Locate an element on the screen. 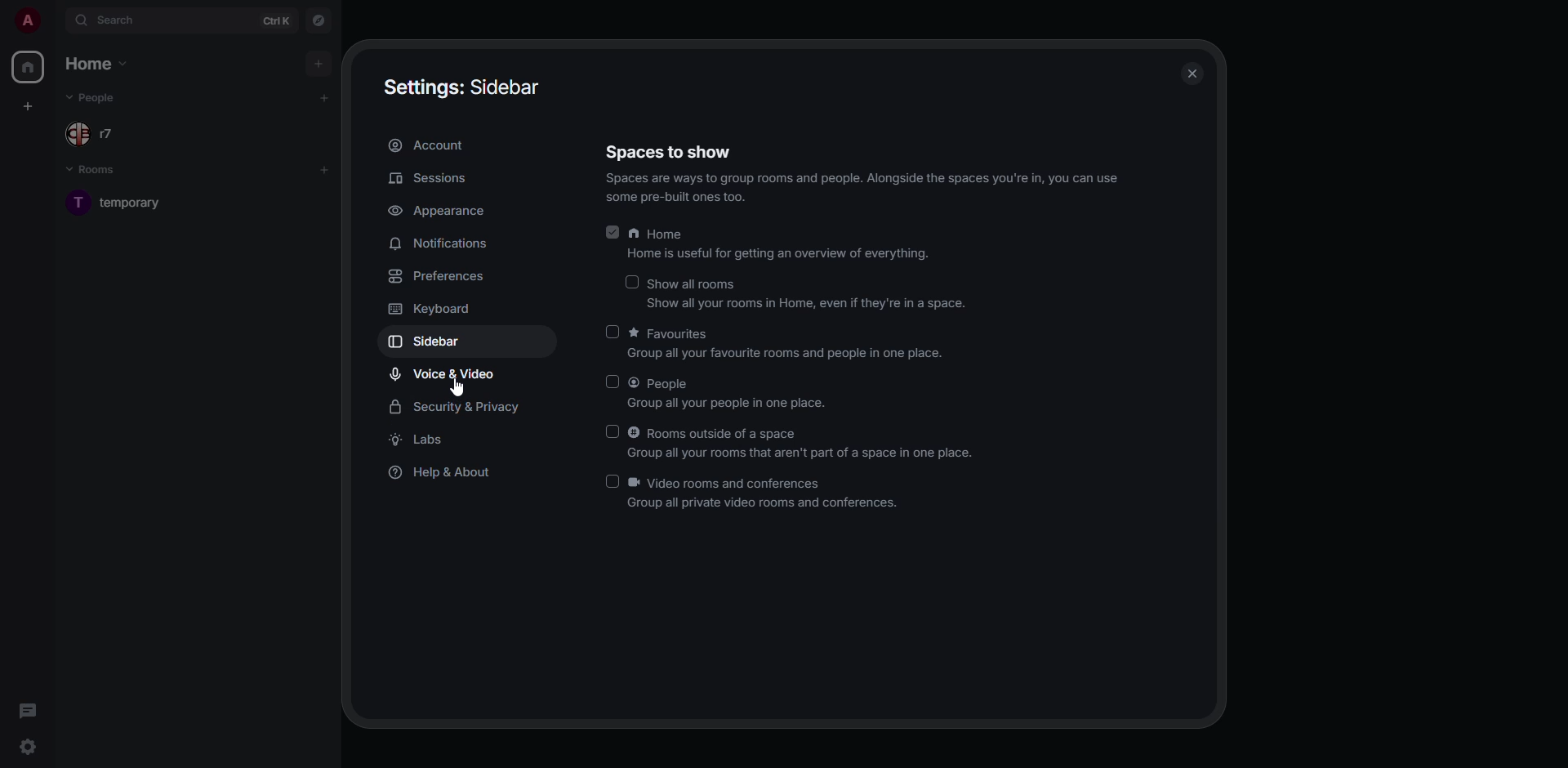 The image size is (1568, 768). add is located at coordinates (318, 61).